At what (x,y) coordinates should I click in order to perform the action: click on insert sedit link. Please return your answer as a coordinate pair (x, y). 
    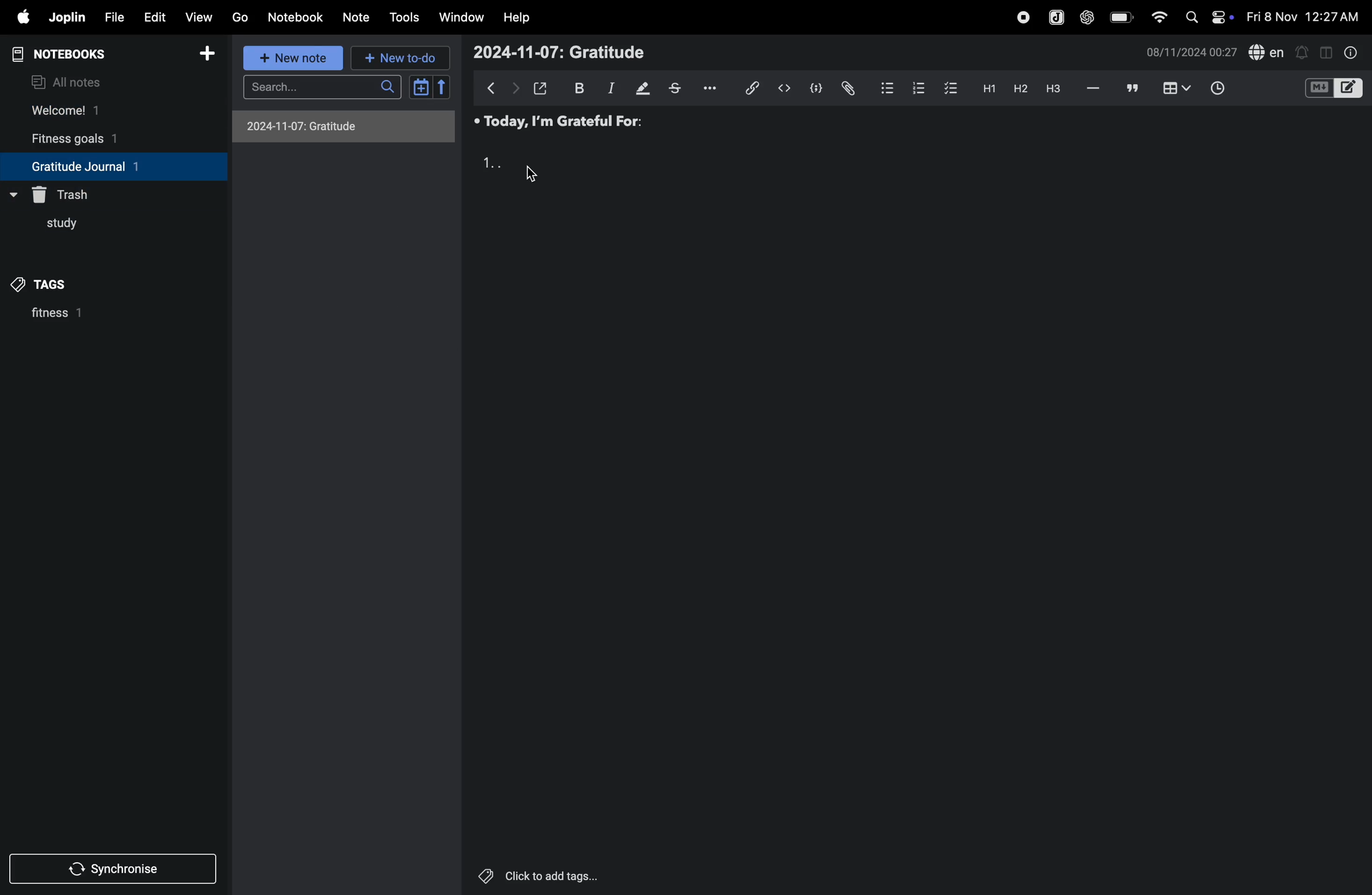
    Looking at the image, I should click on (752, 88).